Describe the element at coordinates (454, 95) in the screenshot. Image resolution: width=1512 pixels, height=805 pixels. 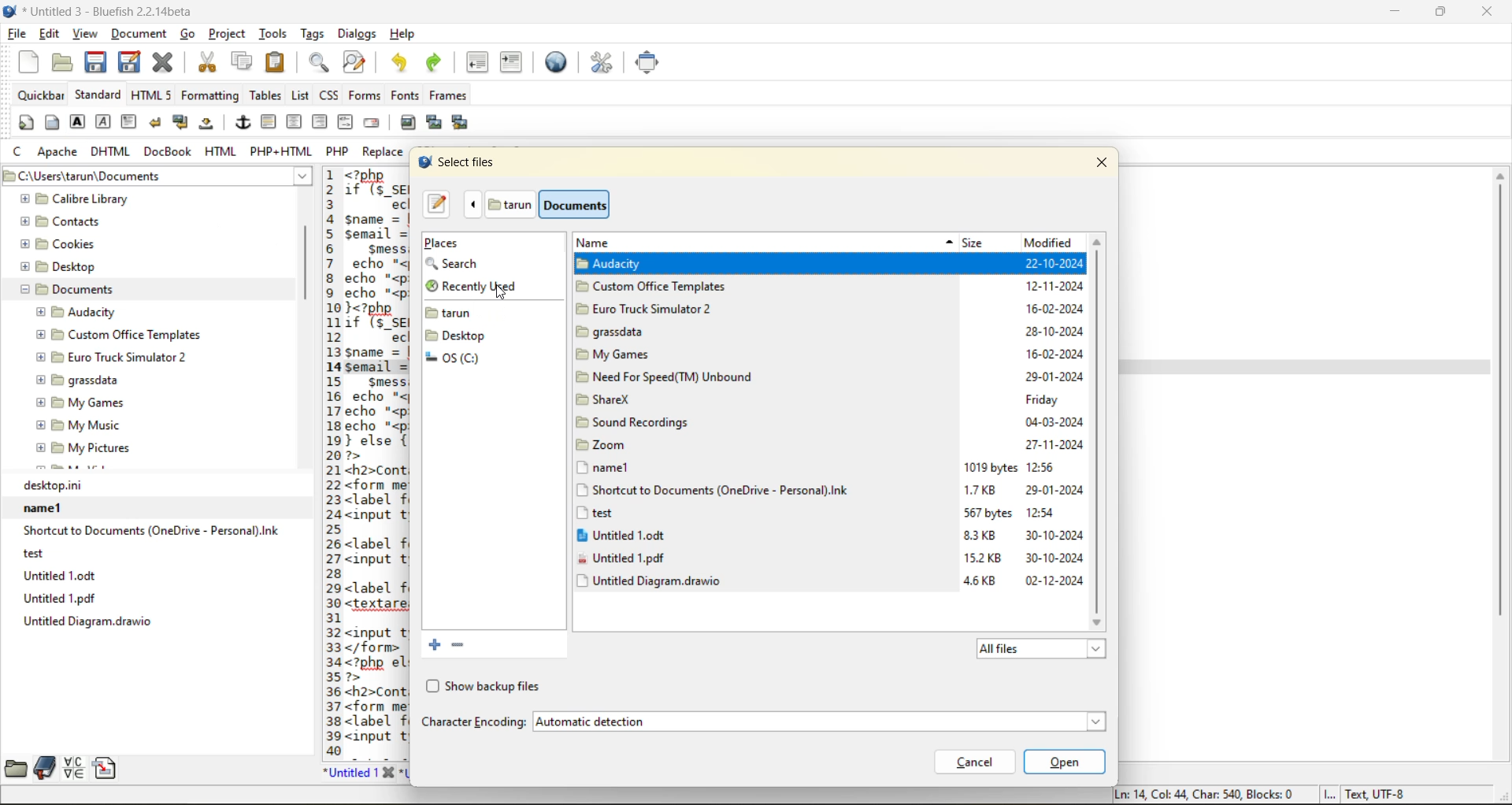
I see `frames` at that location.